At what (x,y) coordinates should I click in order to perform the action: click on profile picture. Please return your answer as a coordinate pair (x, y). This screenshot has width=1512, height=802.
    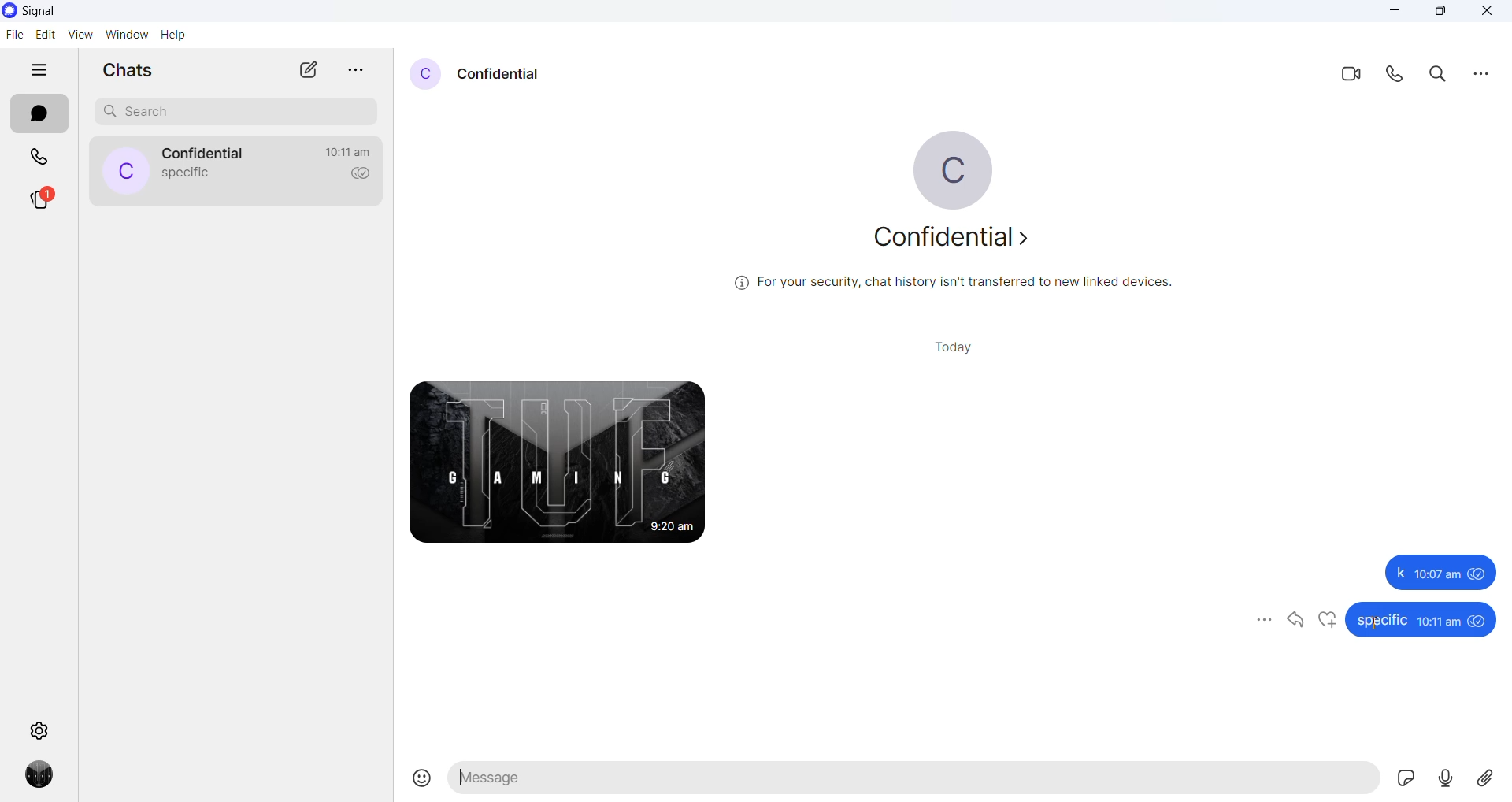
    Looking at the image, I should click on (423, 76).